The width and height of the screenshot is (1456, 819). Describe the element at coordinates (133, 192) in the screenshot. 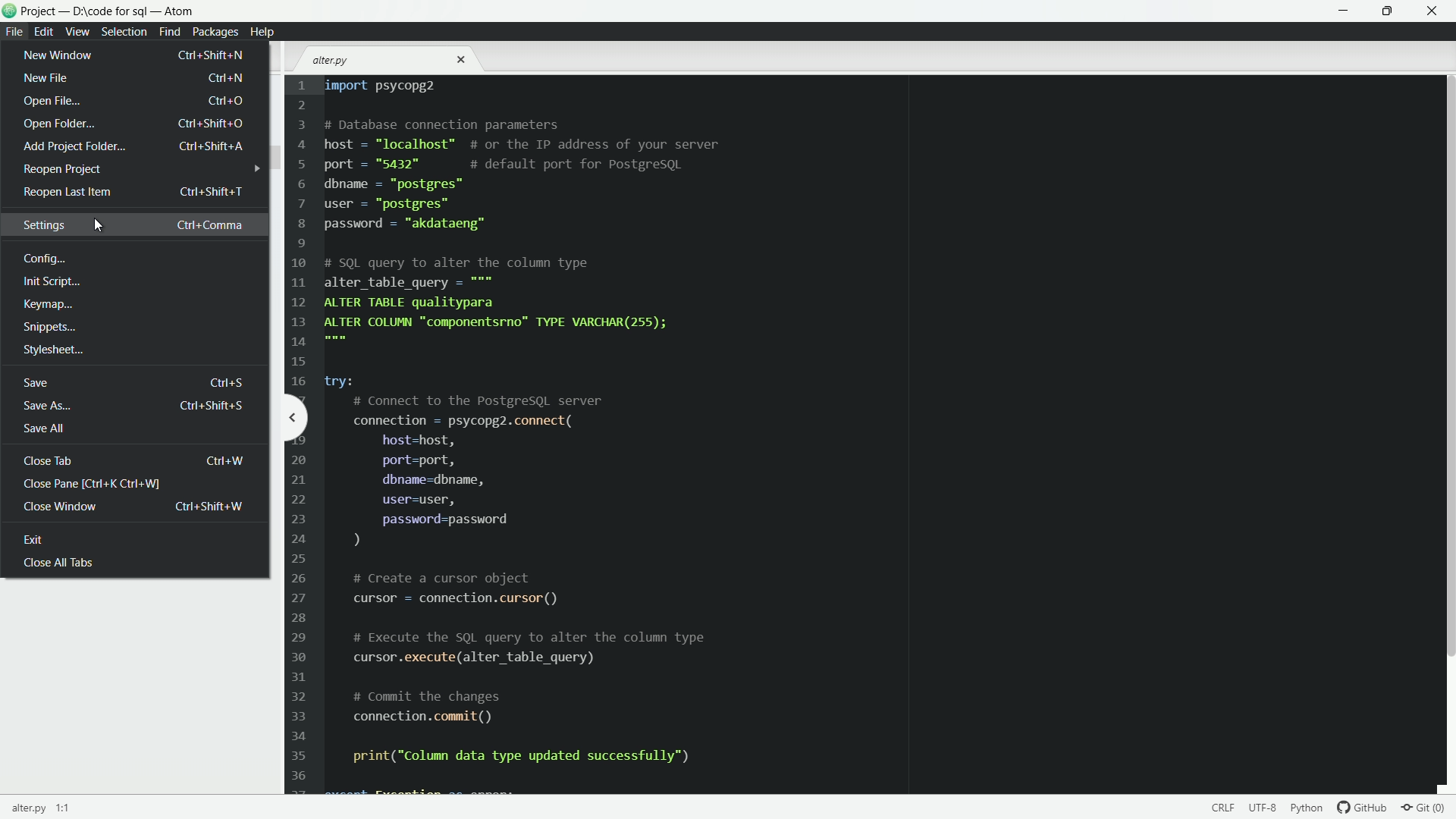

I see `reopen last item` at that location.